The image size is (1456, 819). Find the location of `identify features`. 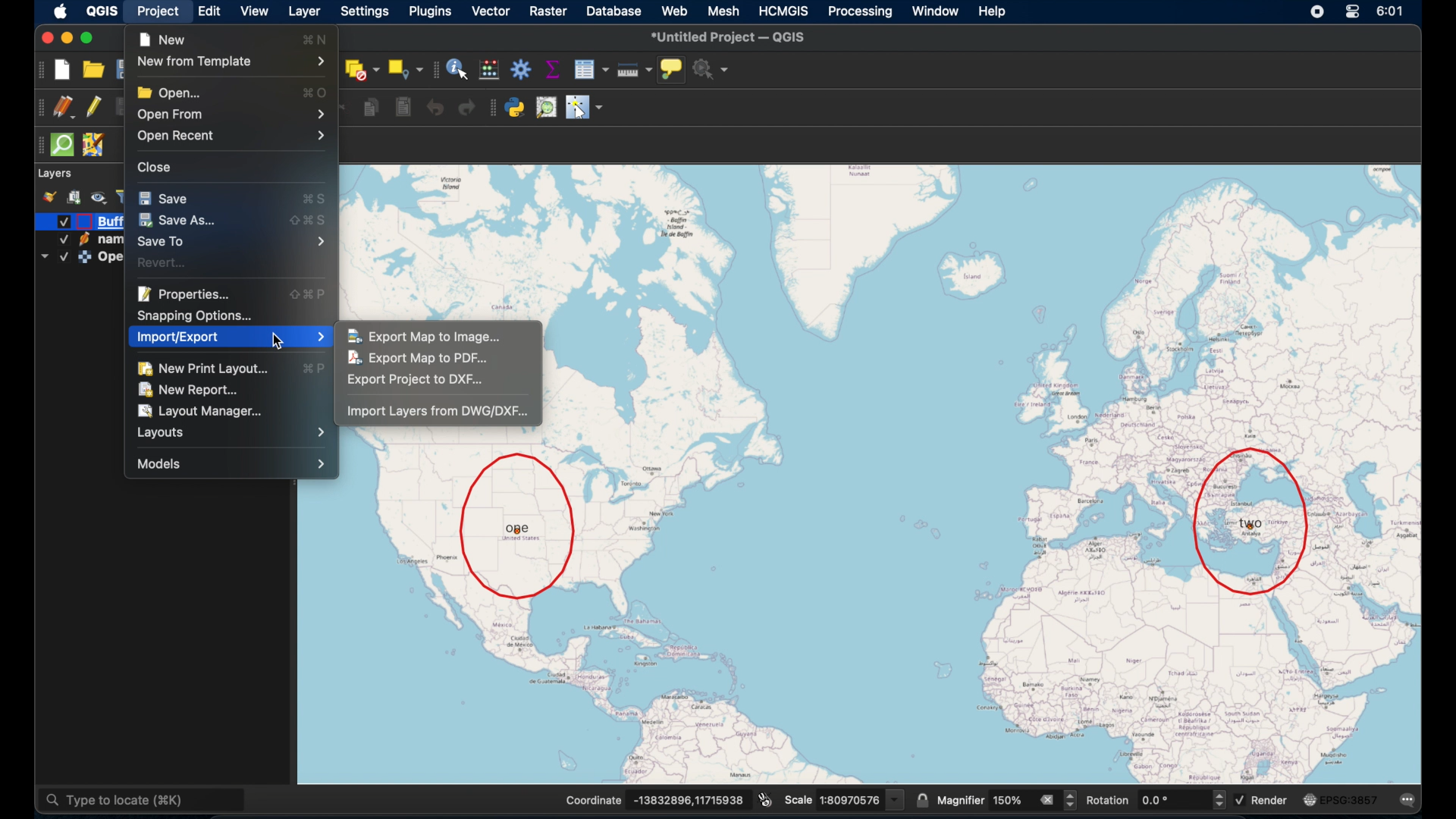

identify features is located at coordinates (457, 69).